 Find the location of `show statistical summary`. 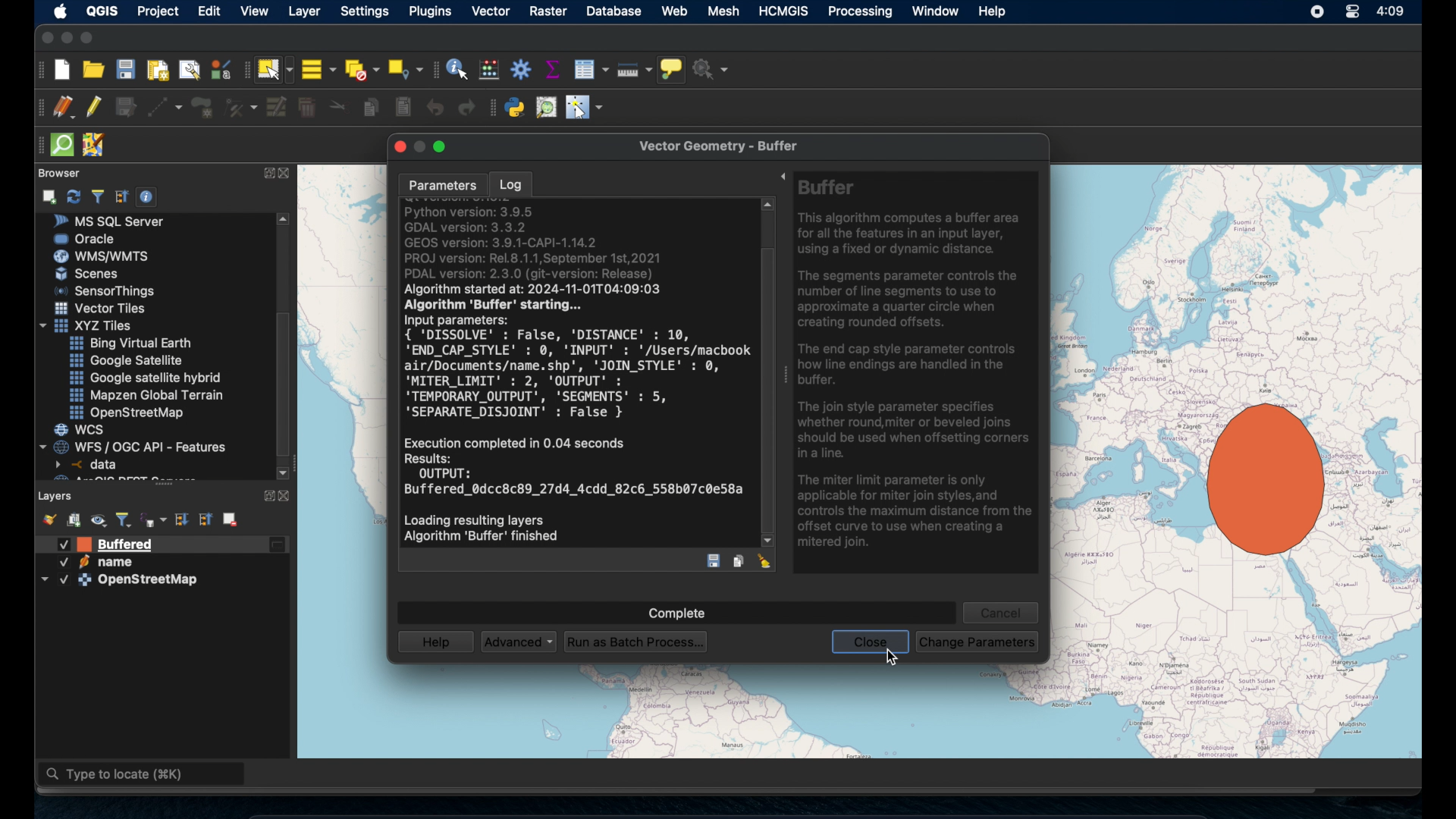

show statistical summary is located at coordinates (552, 68).